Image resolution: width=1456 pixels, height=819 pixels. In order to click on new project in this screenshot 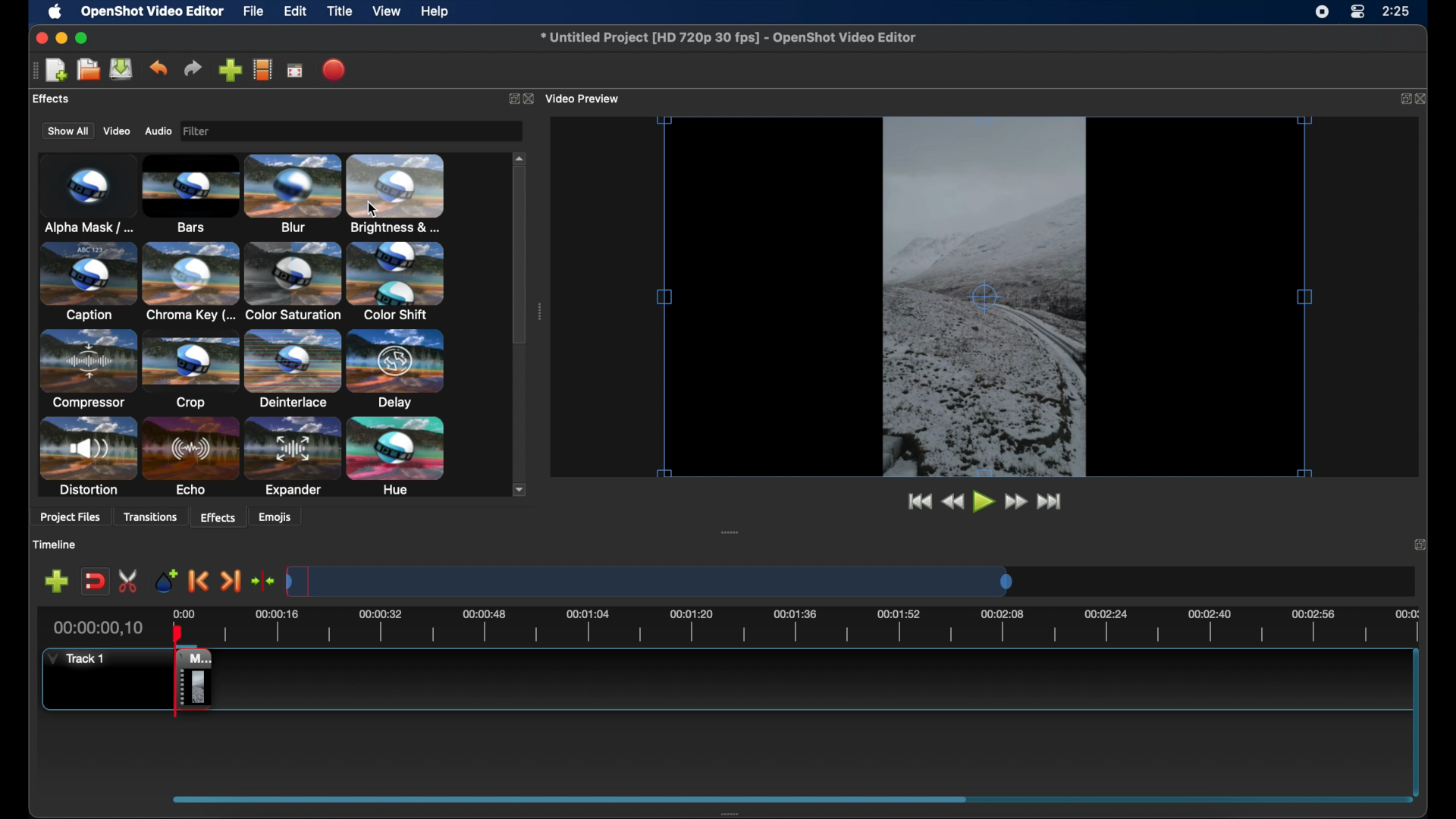, I will do `click(56, 69)`.